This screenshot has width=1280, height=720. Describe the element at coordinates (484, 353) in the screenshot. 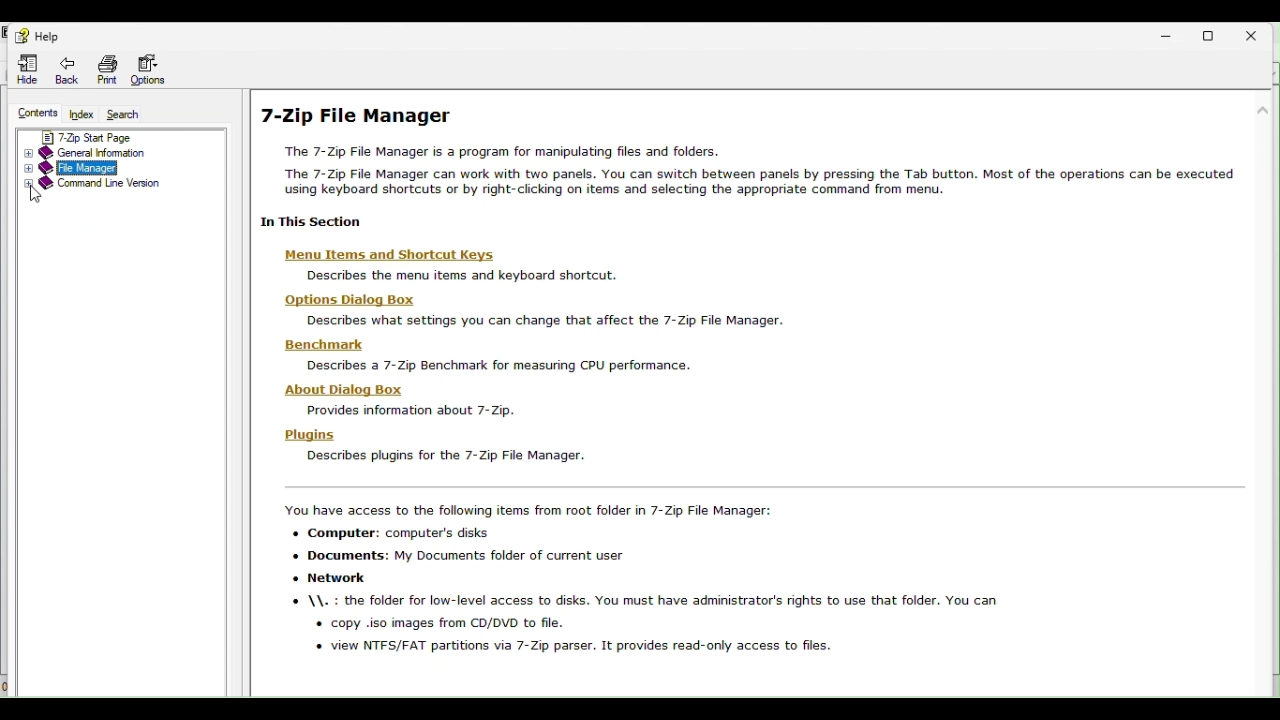

I see `Benchmark` at that location.